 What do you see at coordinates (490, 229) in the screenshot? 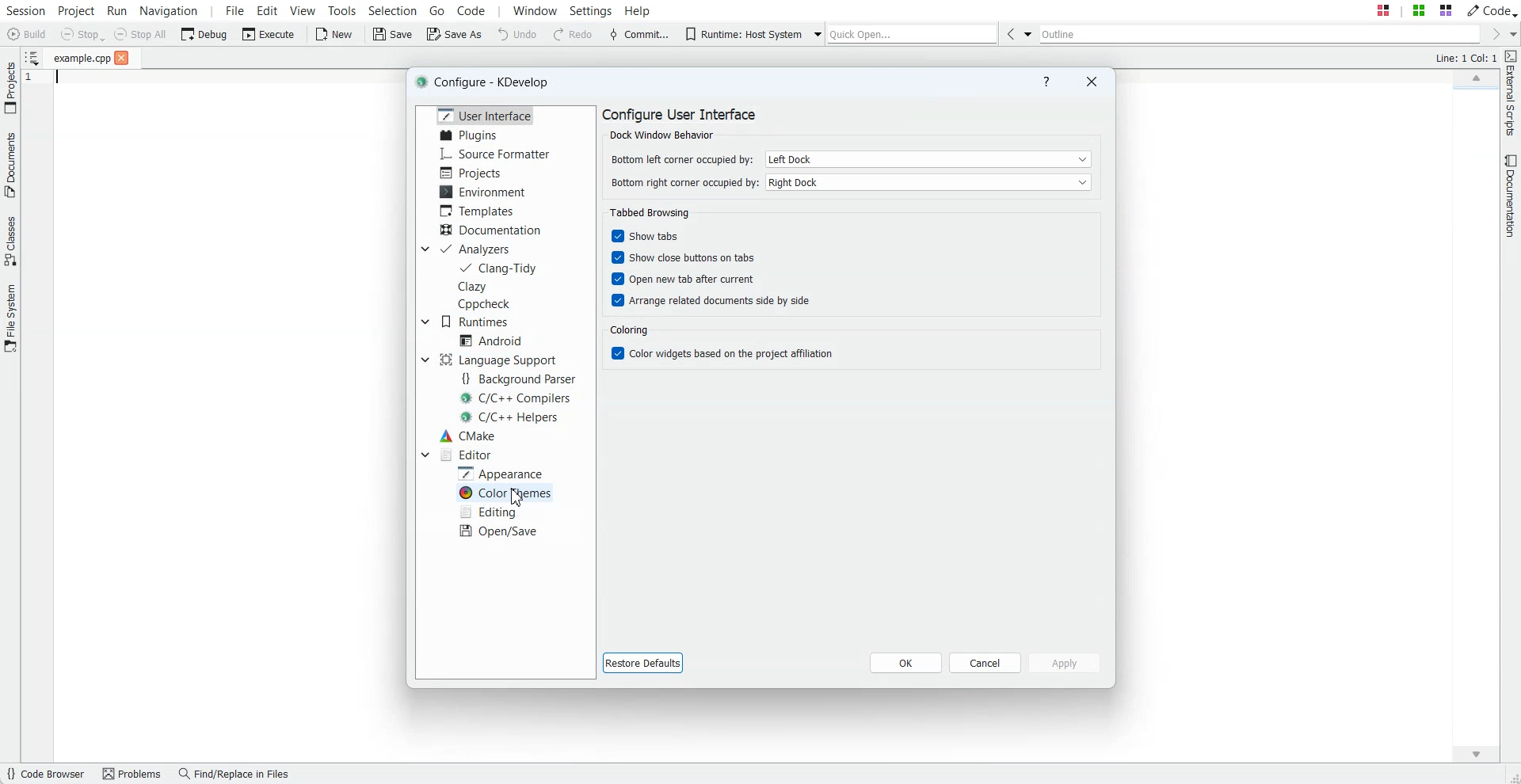
I see `Documentation` at bounding box center [490, 229].